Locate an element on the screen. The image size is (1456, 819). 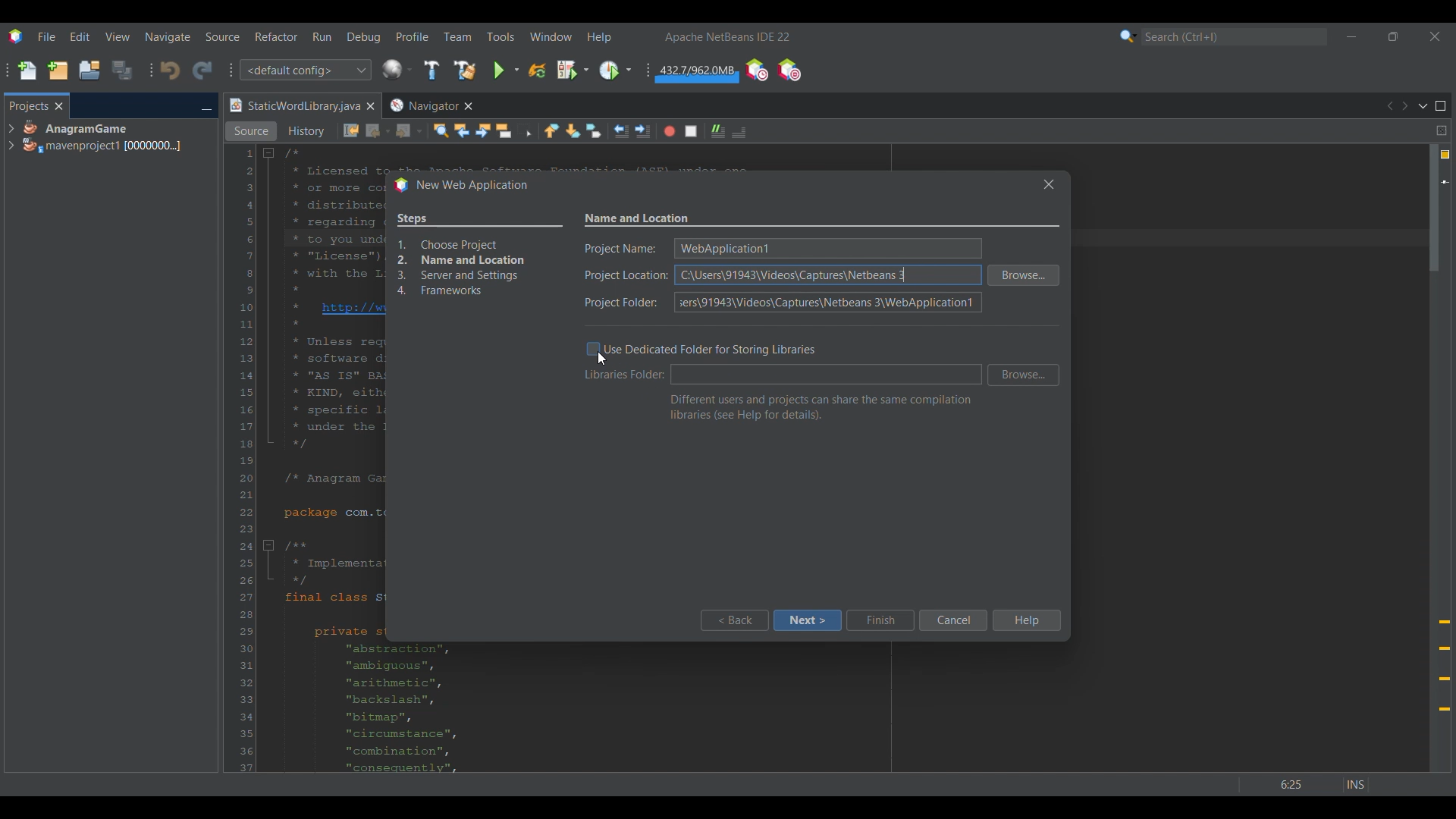
Back is located at coordinates (378, 131).